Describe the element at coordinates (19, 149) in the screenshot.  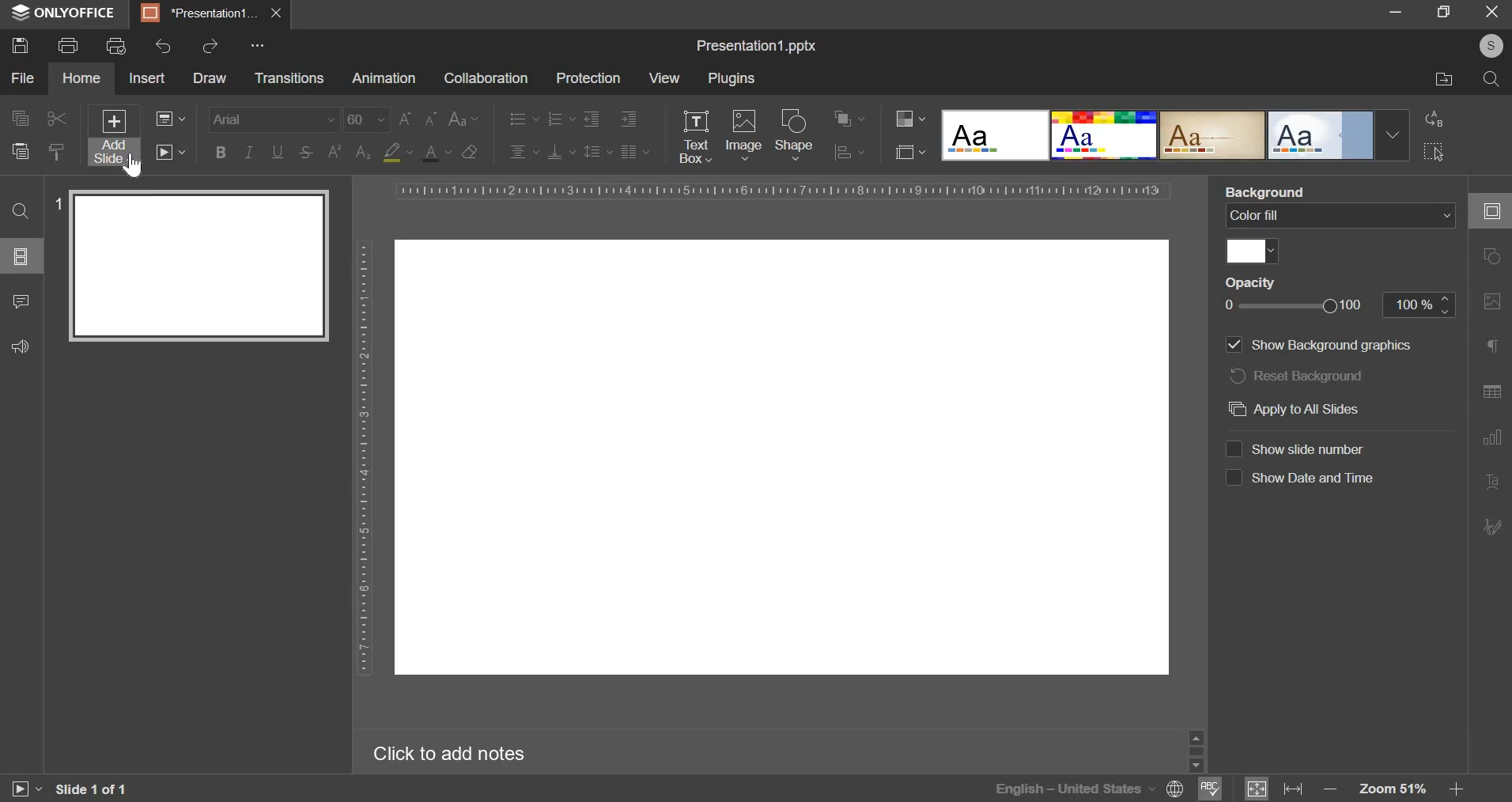
I see `paste` at that location.